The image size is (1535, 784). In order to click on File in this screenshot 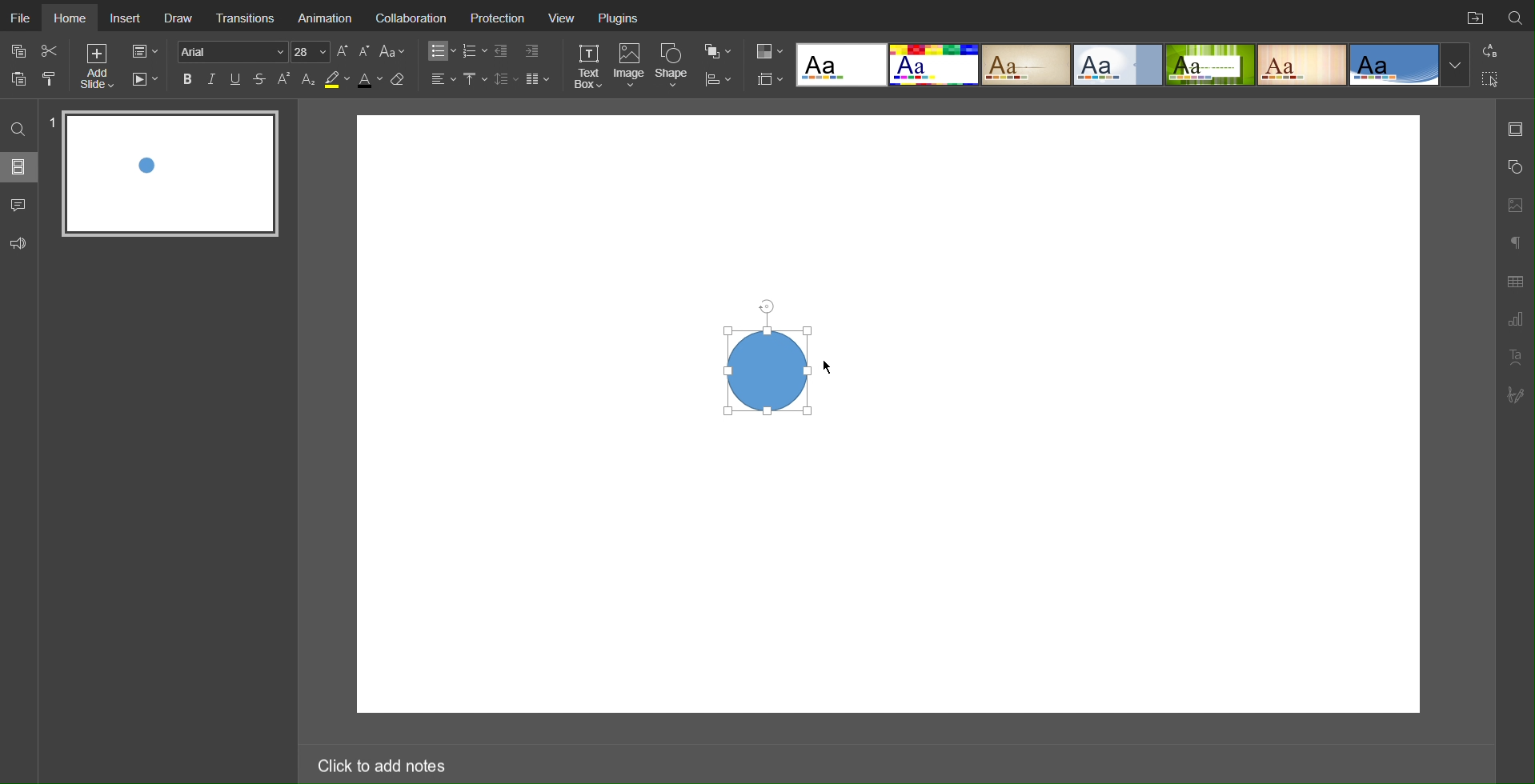, I will do `click(19, 15)`.